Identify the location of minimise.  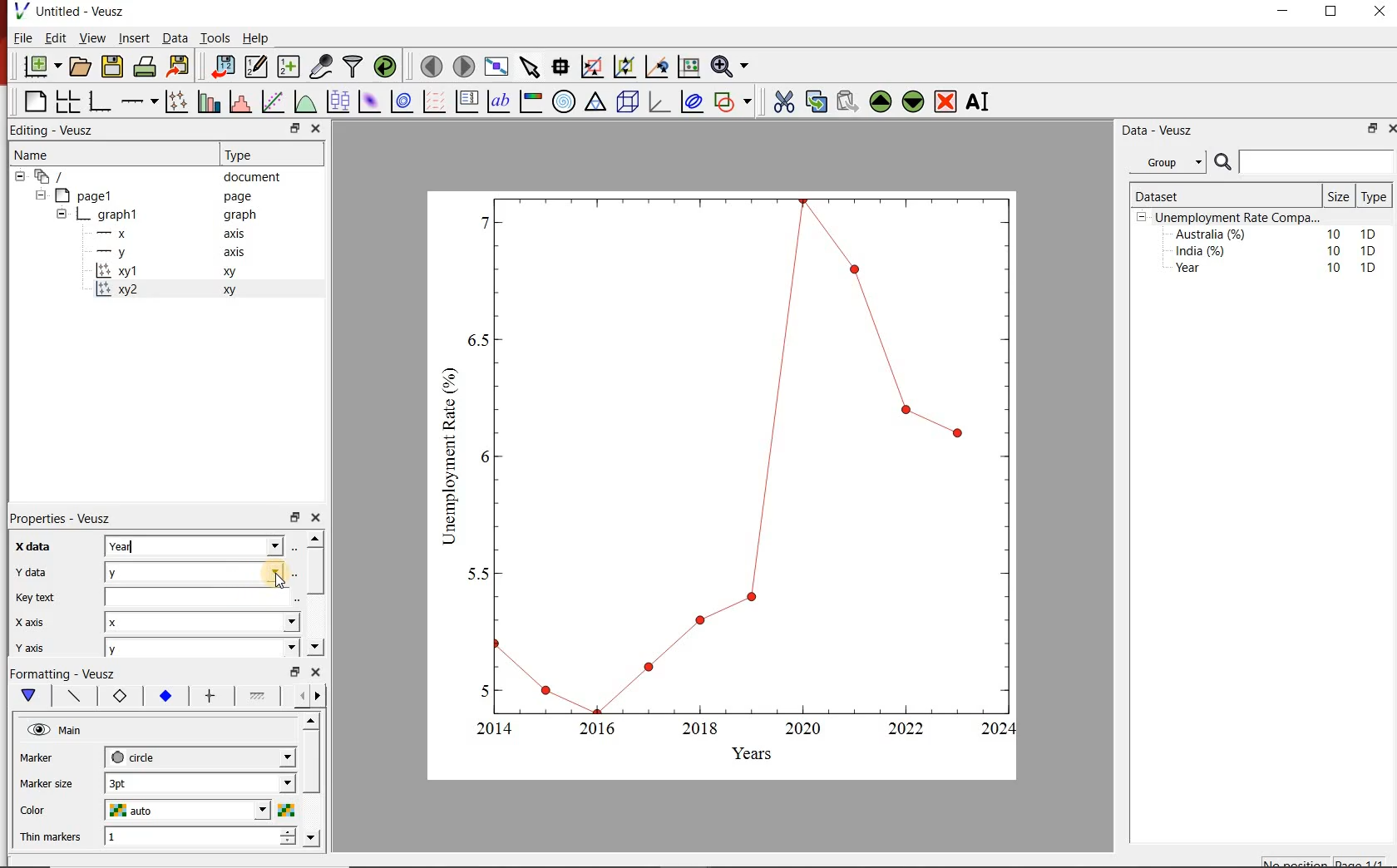
(1287, 15).